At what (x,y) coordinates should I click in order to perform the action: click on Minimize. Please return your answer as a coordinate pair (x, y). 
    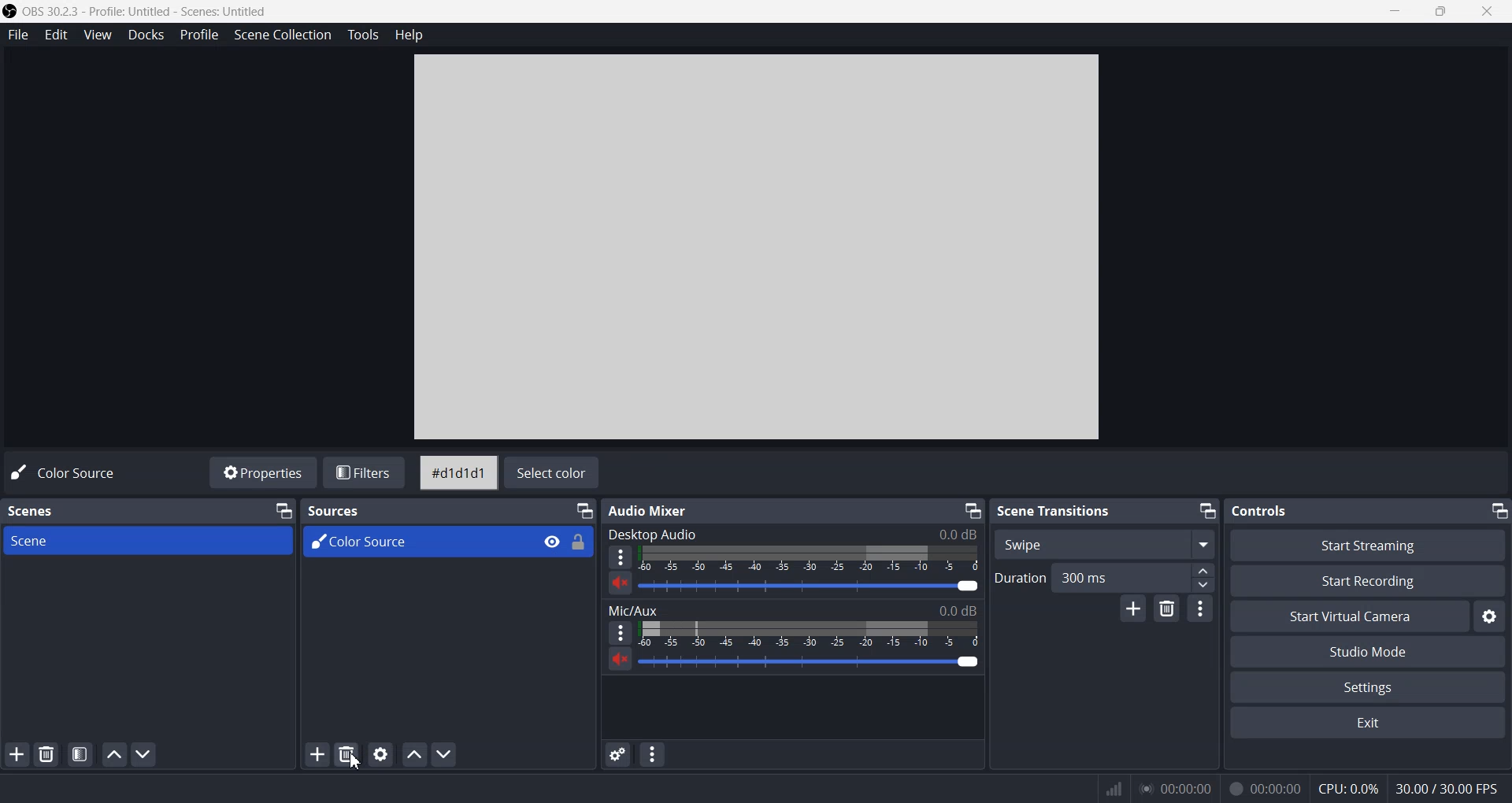
    Looking at the image, I should click on (1497, 511).